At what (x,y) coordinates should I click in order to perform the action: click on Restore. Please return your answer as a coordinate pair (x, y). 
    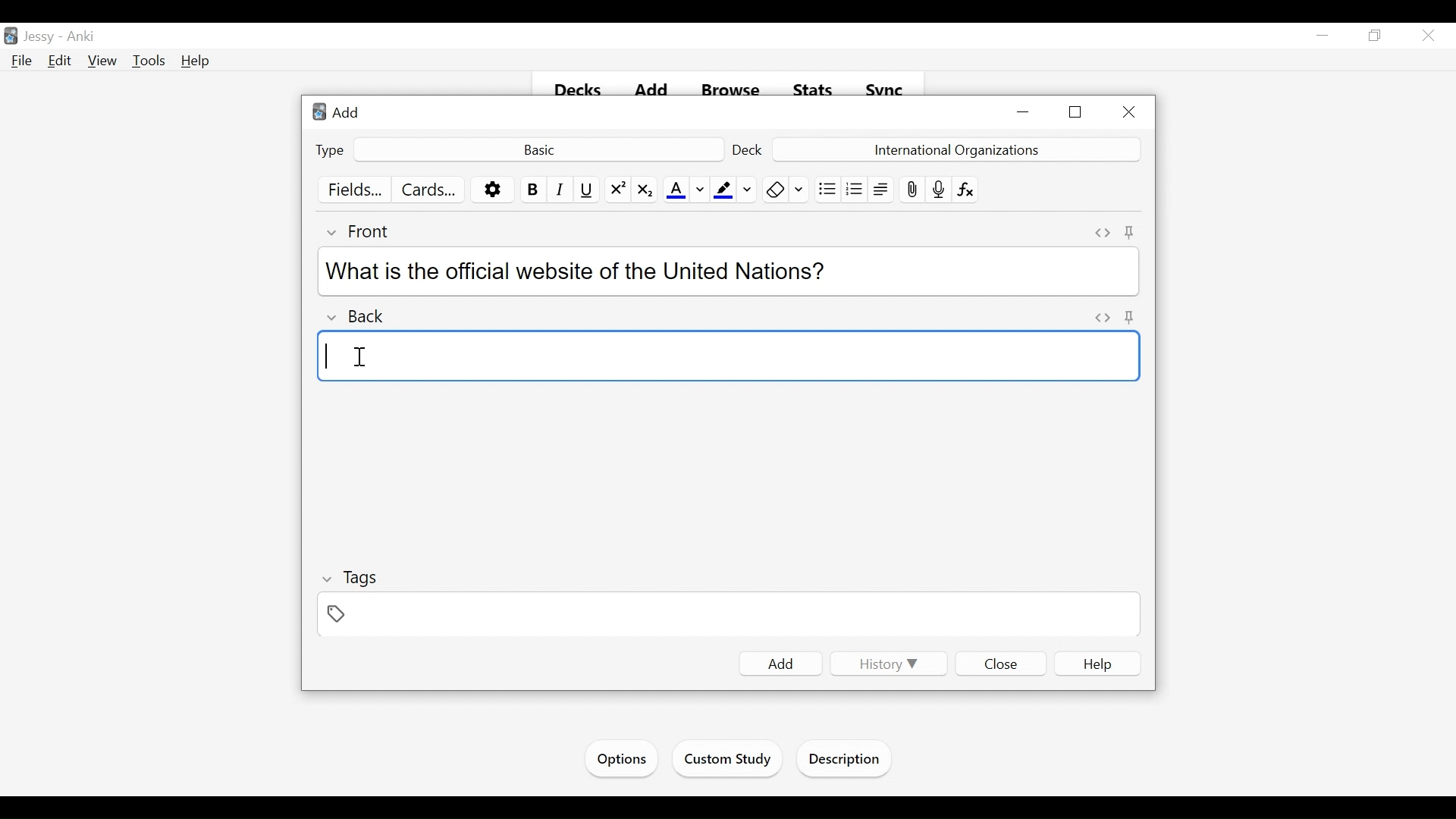
    Looking at the image, I should click on (1377, 35).